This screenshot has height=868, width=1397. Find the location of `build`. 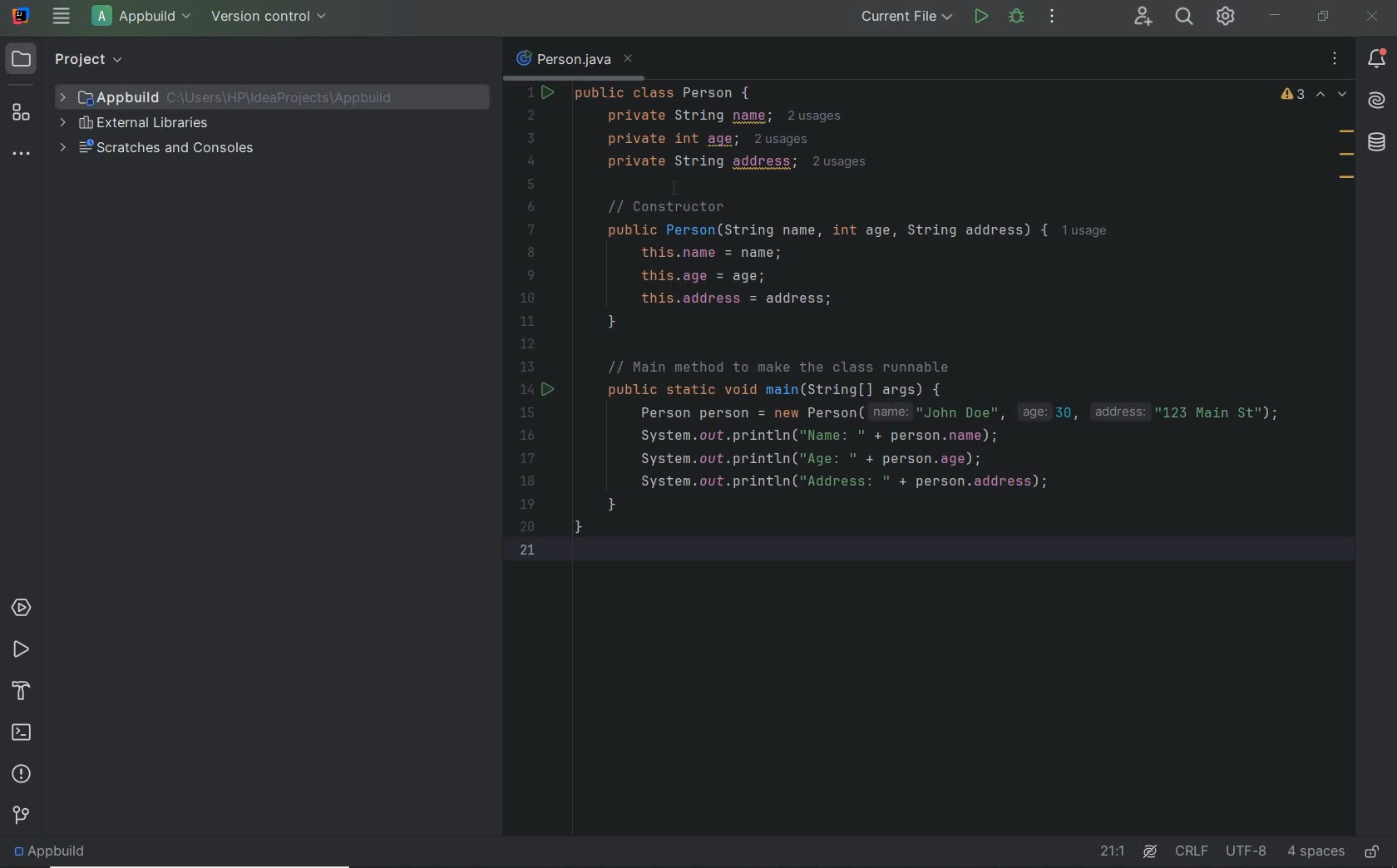

build is located at coordinates (22, 688).